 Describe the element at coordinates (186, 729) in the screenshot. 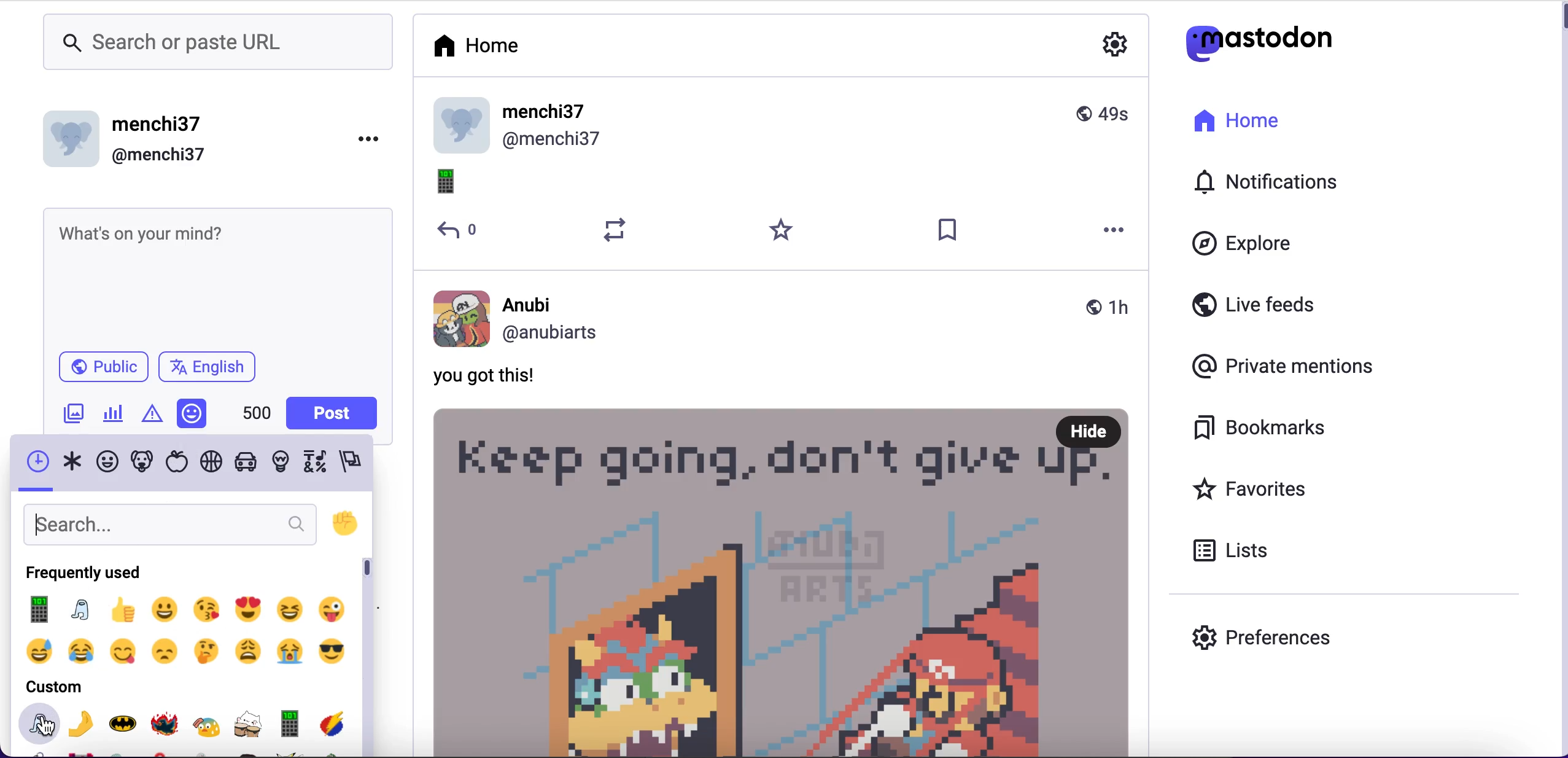

I see `custom emojis` at that location.